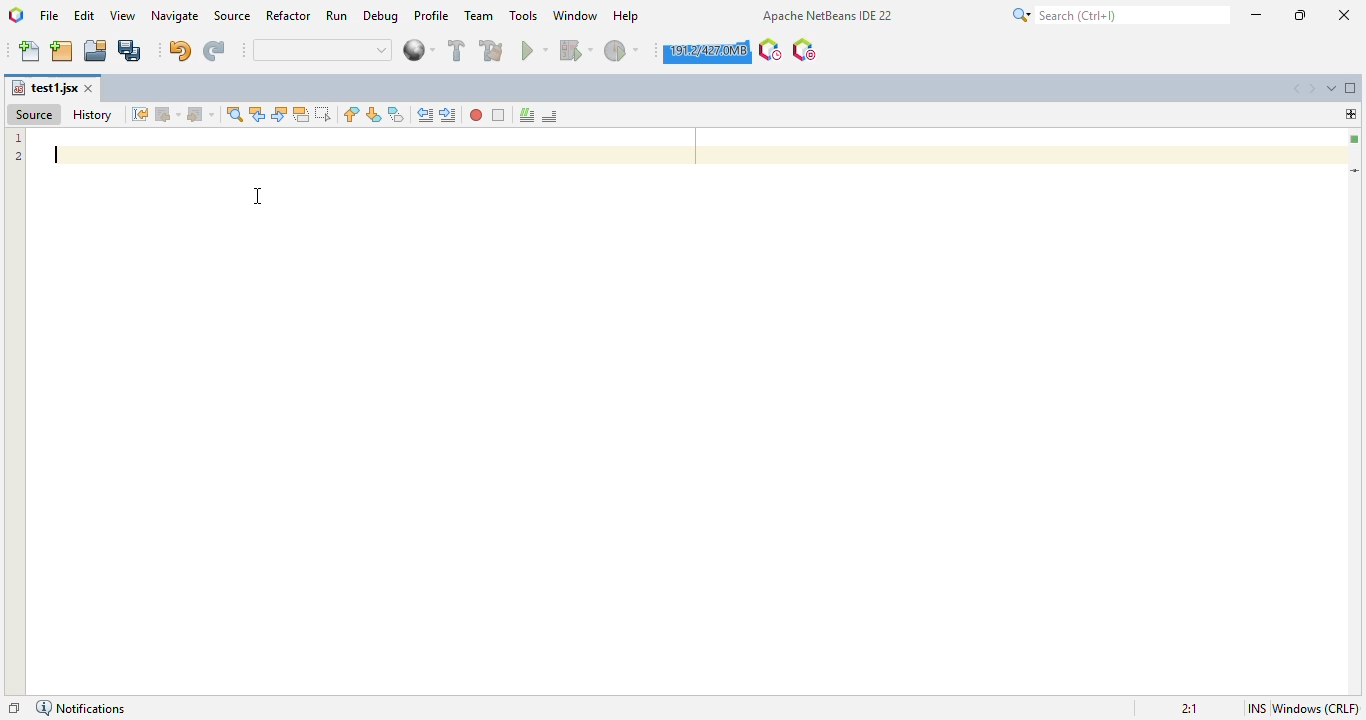 The image size is (1366, 720). I want to click on debug project, so click(577, 50).